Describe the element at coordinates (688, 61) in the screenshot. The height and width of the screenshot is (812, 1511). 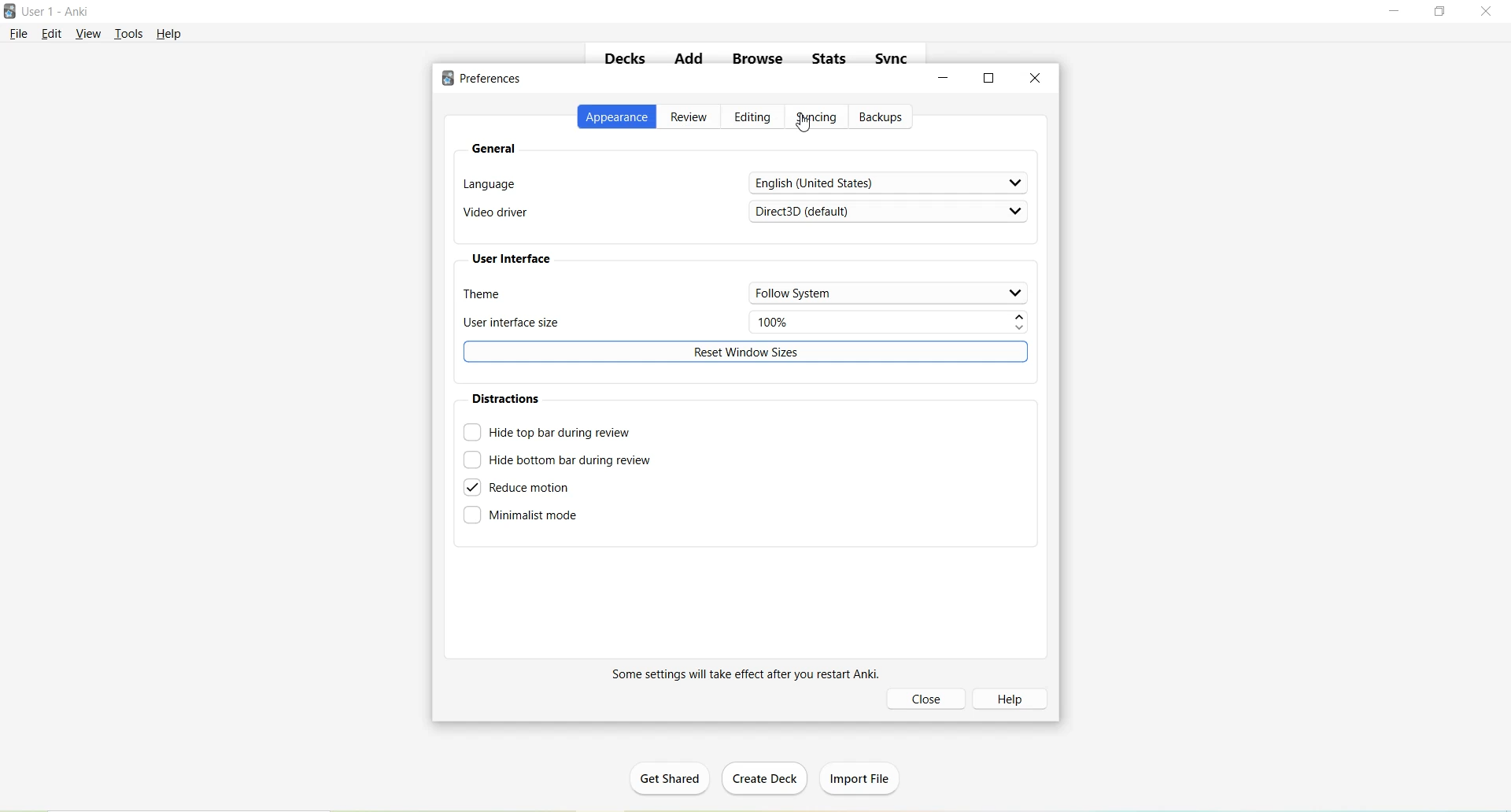
I see `Add` at that location.